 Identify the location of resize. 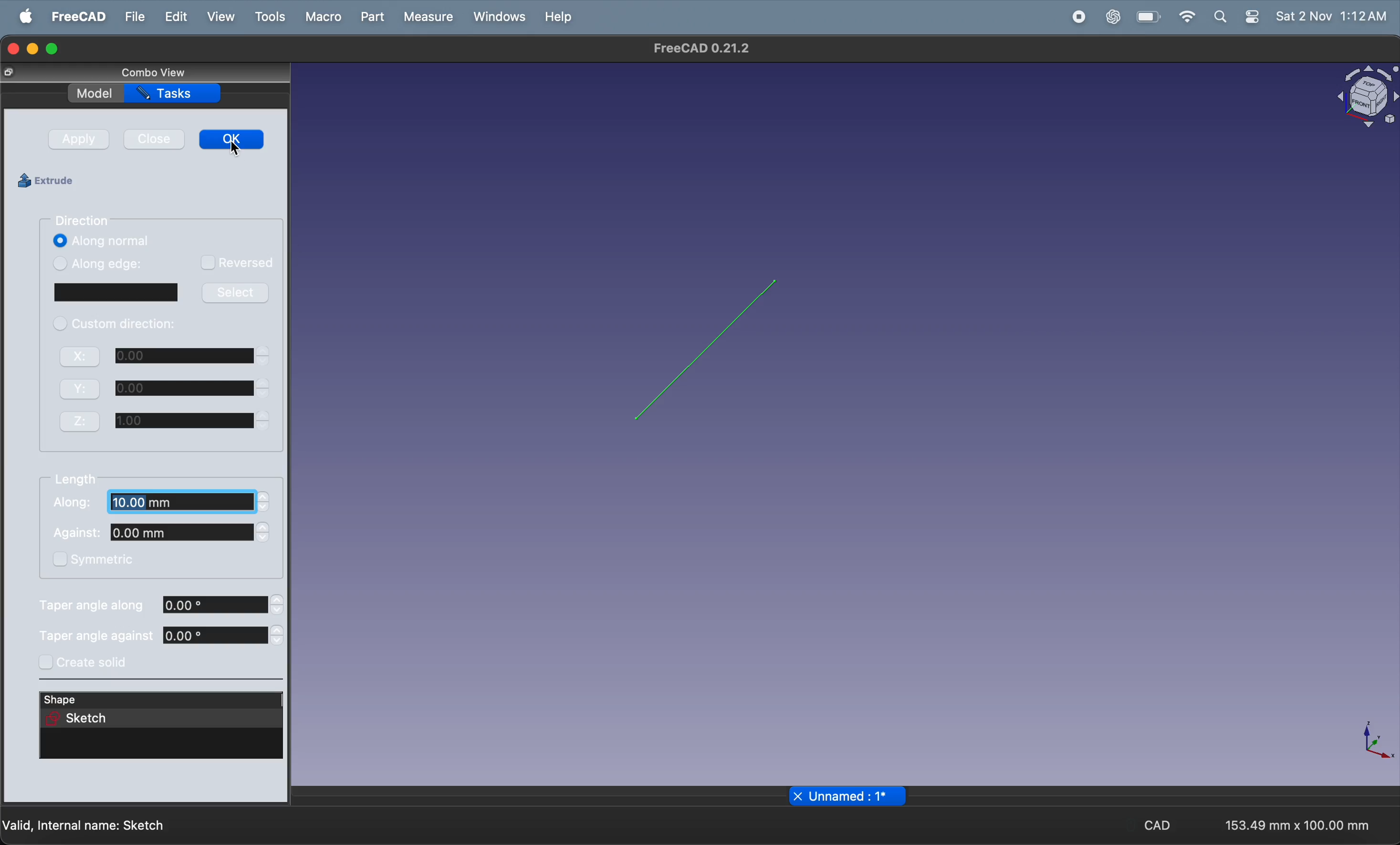
(27, 72).